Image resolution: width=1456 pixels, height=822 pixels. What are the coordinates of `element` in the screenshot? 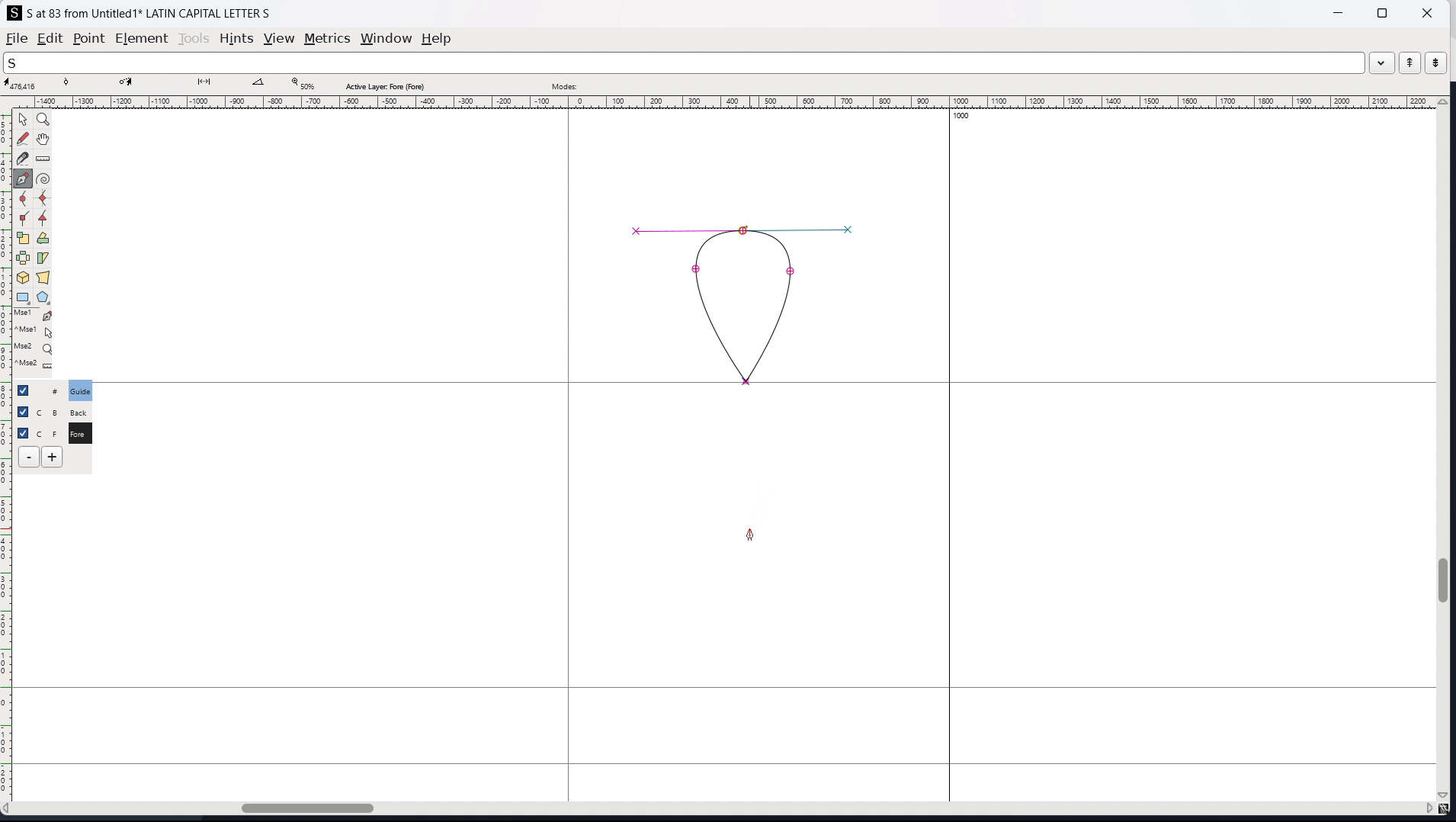 It's located at (143, 39).